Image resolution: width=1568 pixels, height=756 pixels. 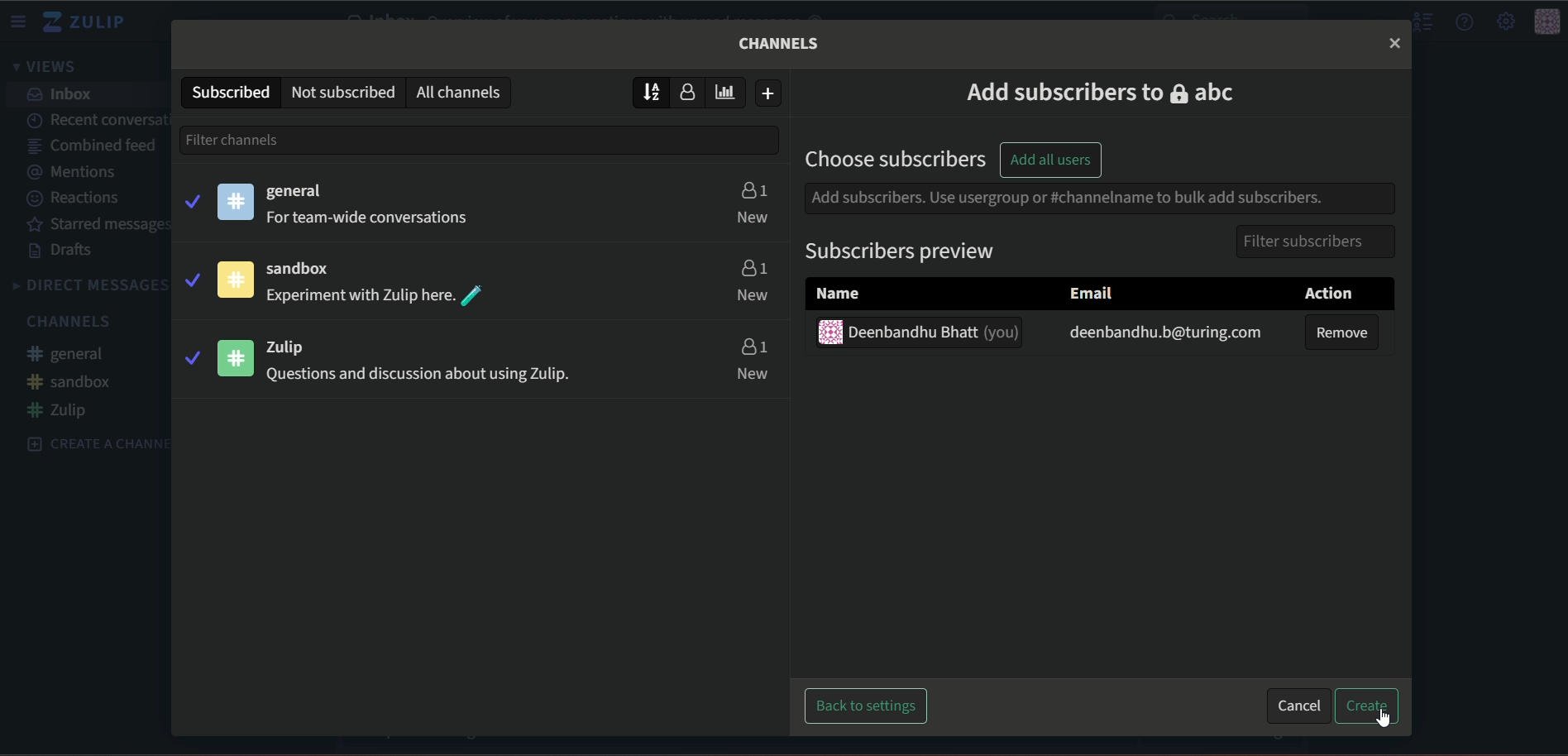 What do you see at coordinates (64, 251) in the screenshot?
I see `drsfts` at bounding box center [64, 251].